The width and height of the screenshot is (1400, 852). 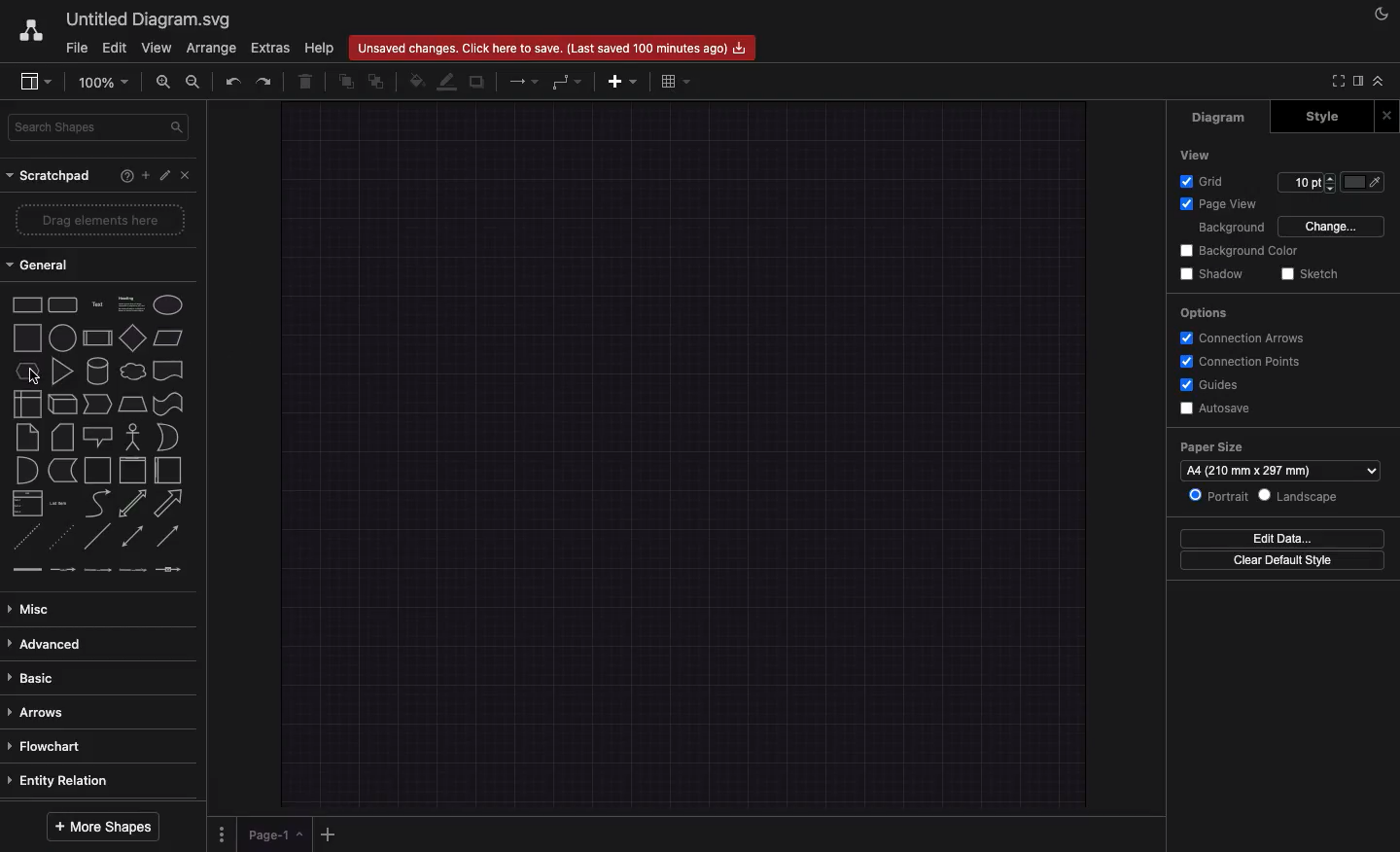 I want to click on Zoom out, so click(x=192, y=80).